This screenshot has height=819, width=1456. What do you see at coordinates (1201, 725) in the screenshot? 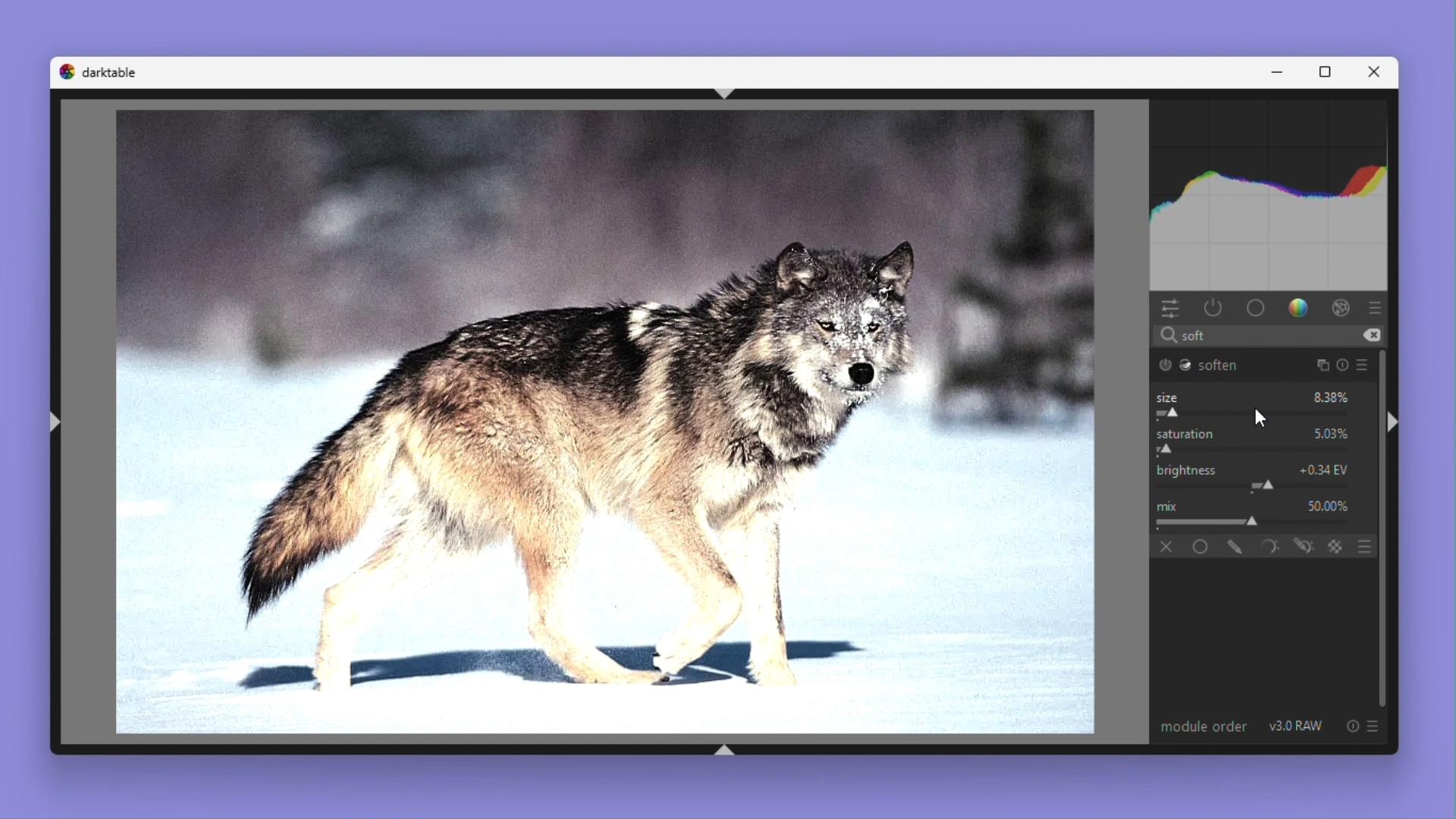
I see `Module order` at bounding box center [1201, 725].